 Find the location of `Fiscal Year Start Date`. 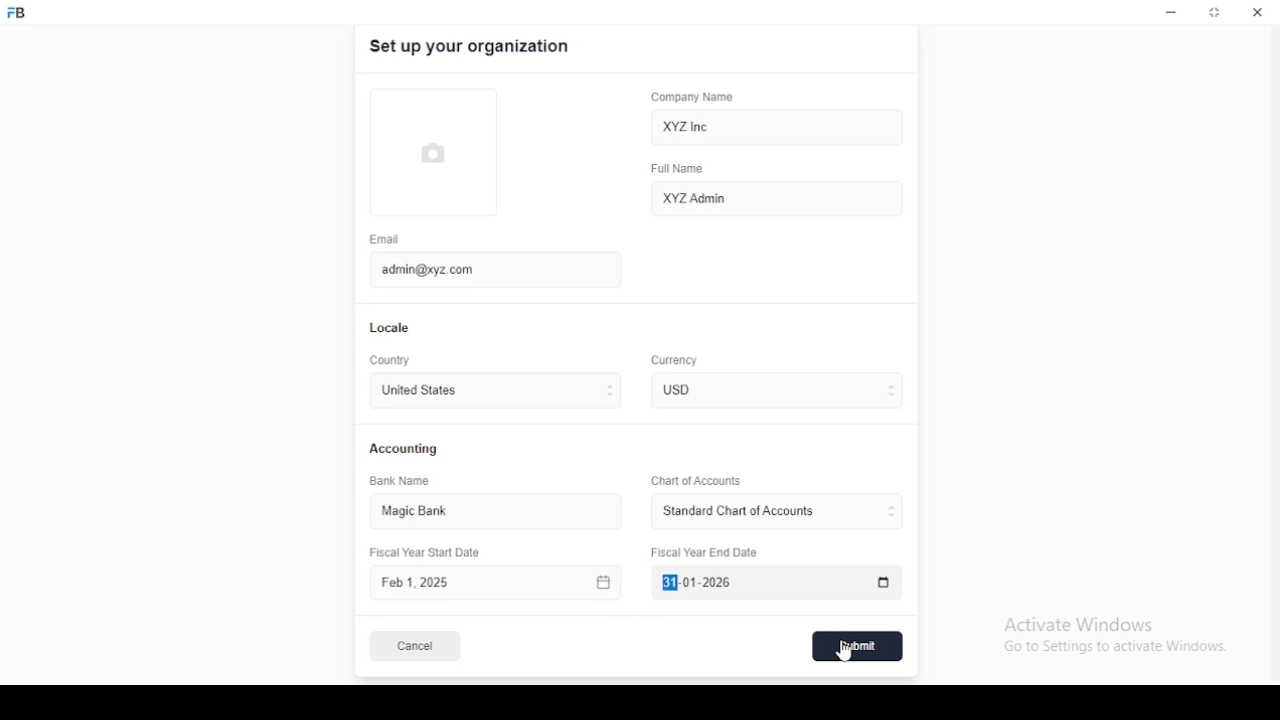

Fiscal Year Start Date is located at coordinates (432, 553).